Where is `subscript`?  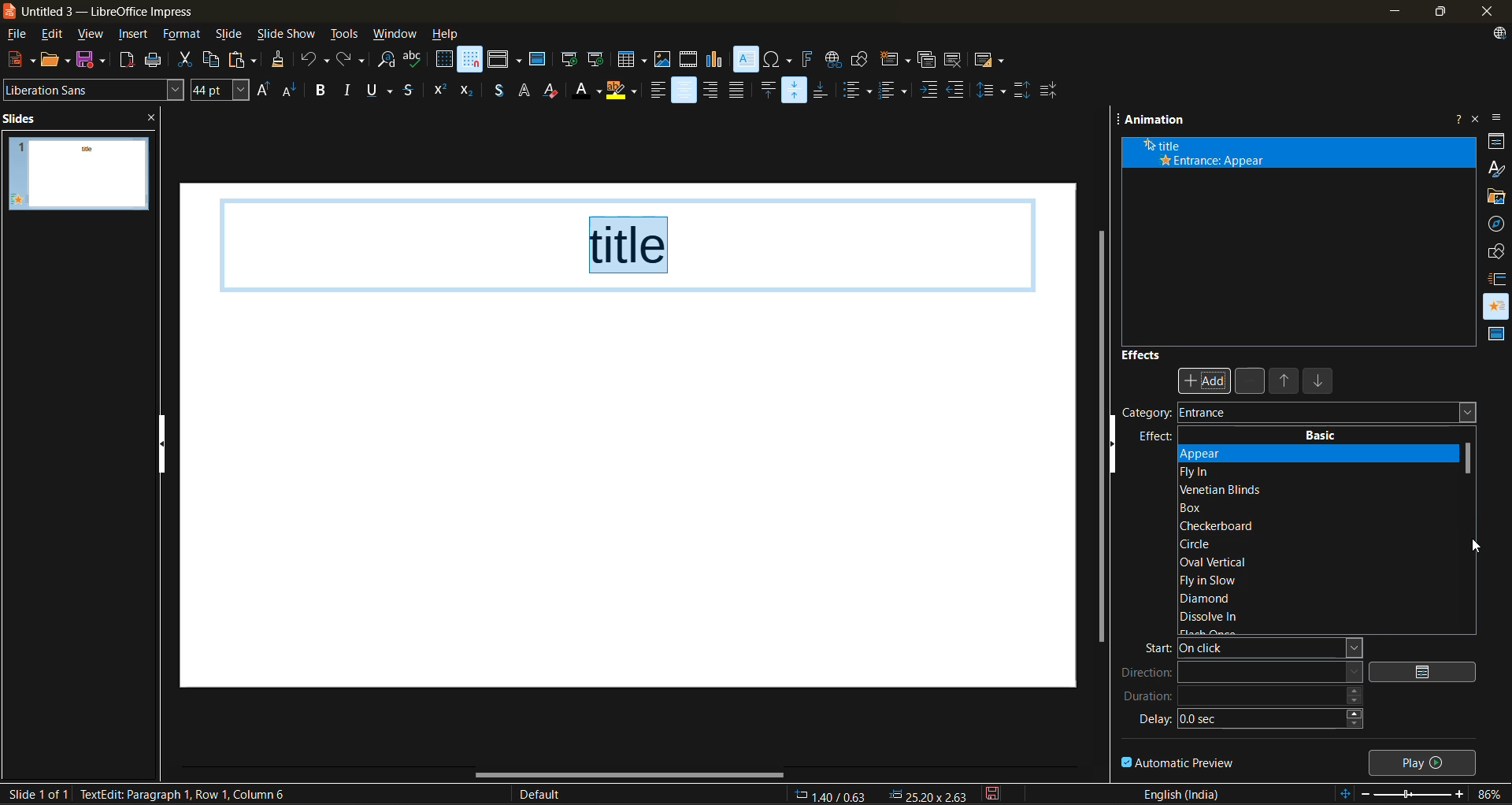
subscript is located at coordinates (466, 92).